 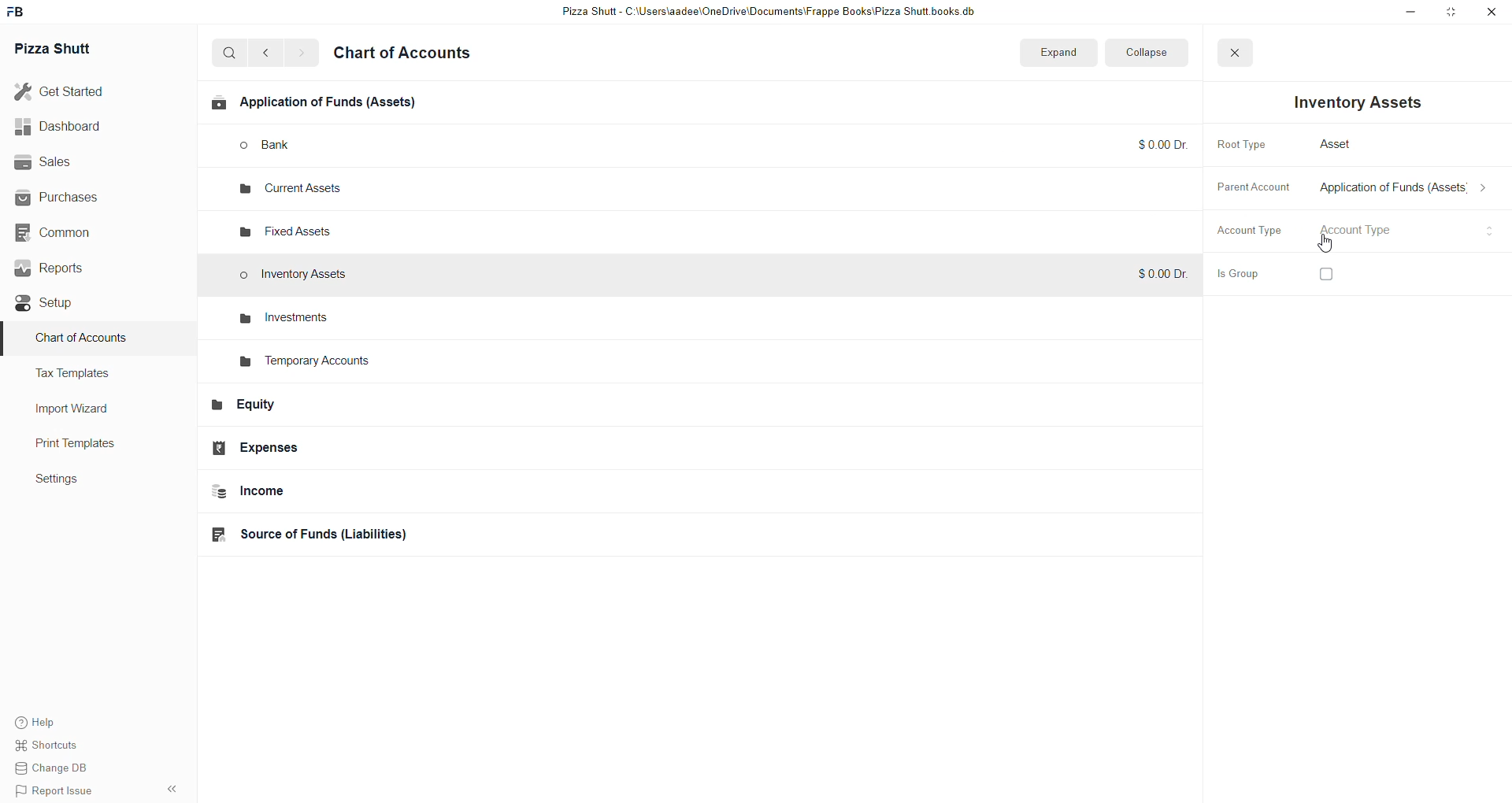 What do you see at coordinates (72, 483) in the screenshot?
I see `settings ` at bounding box center [72, 483].